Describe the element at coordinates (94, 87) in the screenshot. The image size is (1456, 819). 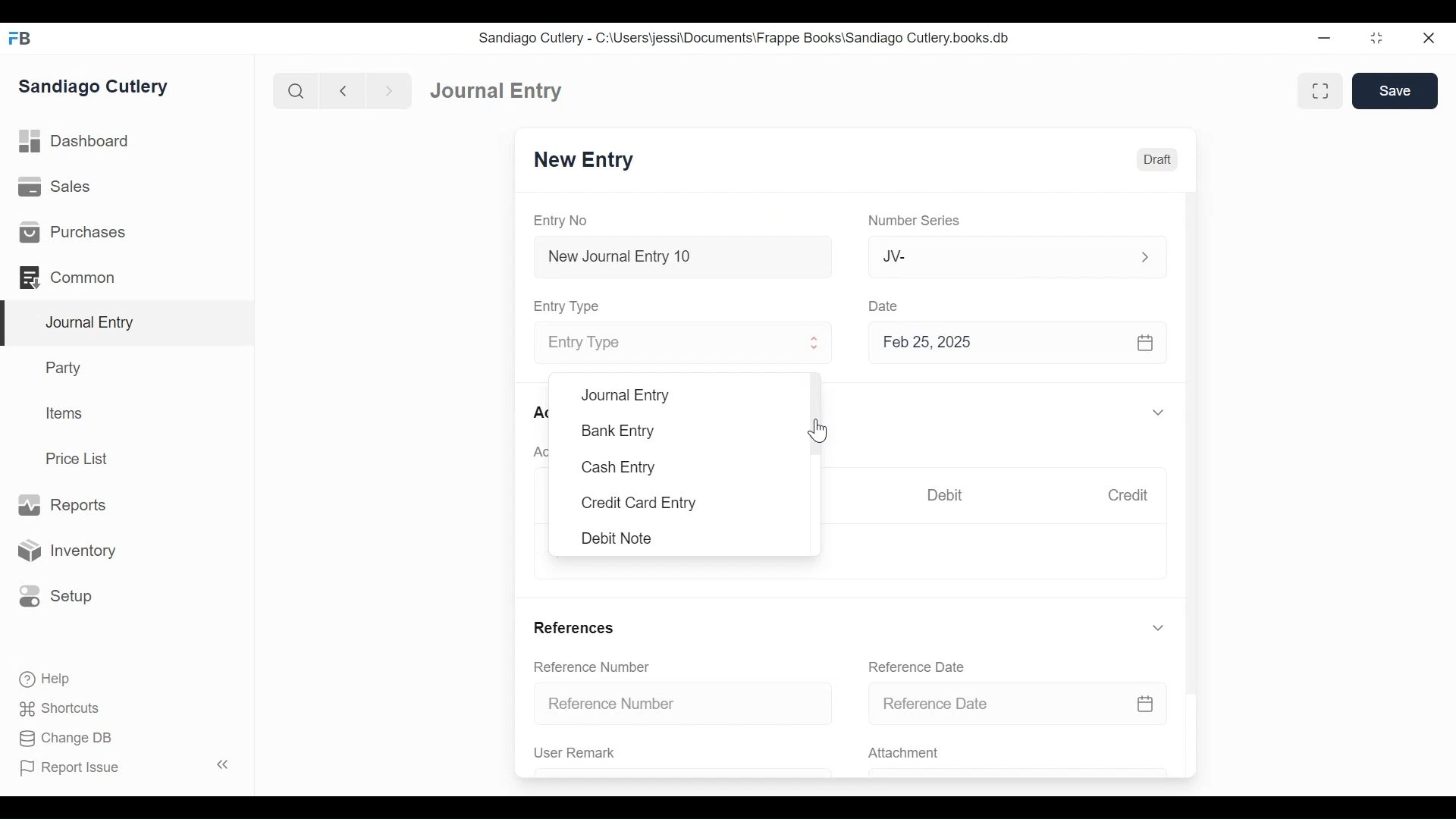
I see `Sandiago Cutlery` at that location.